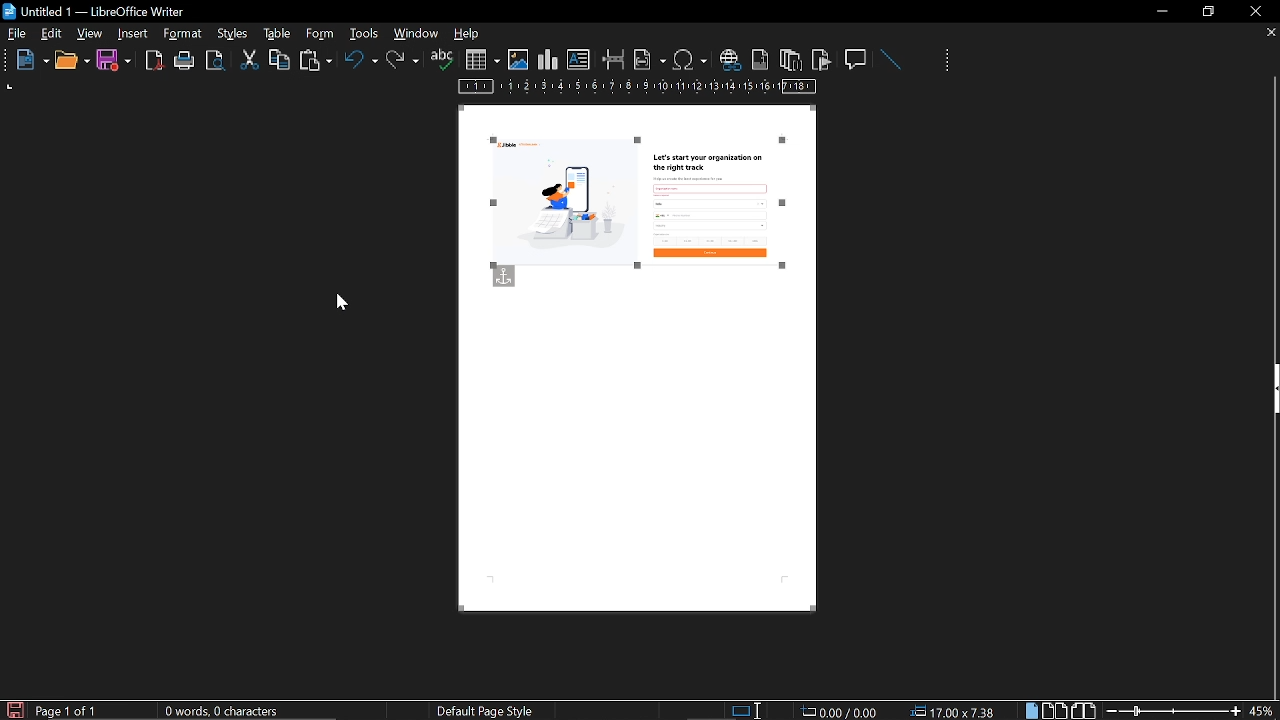 The image size is (1280, 720). Describe the element at coordinates (274, 33) in the screenshot. I see `styles` at that location.